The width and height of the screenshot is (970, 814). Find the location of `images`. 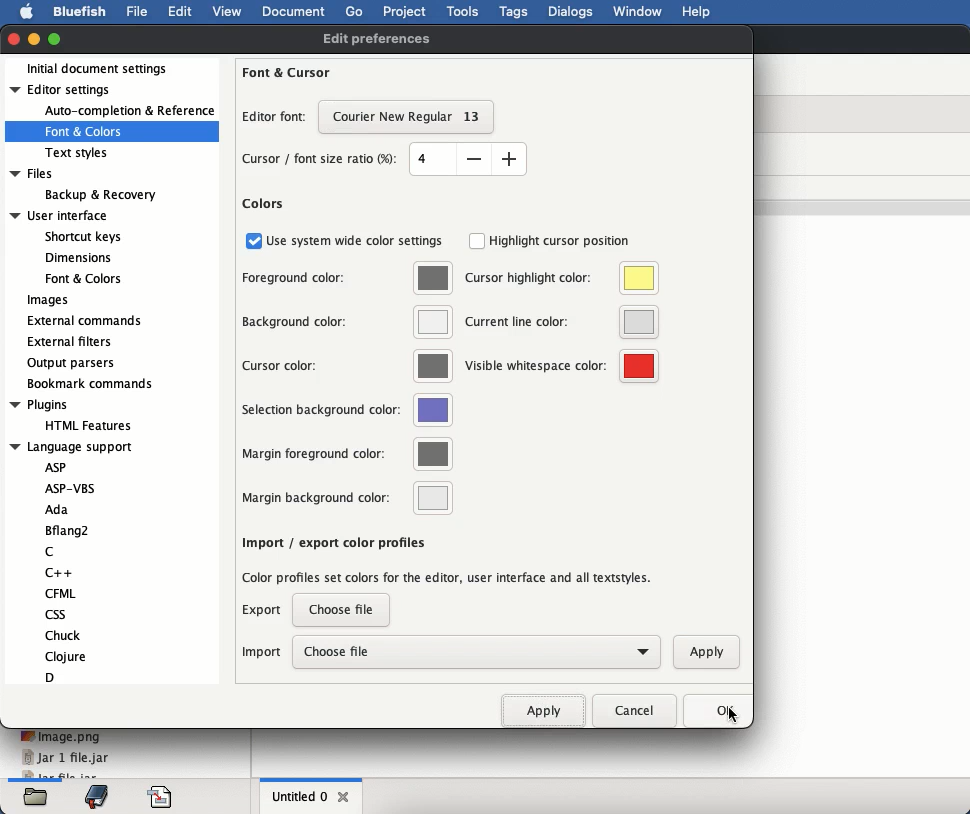

images is located at coordinates (51, 301).